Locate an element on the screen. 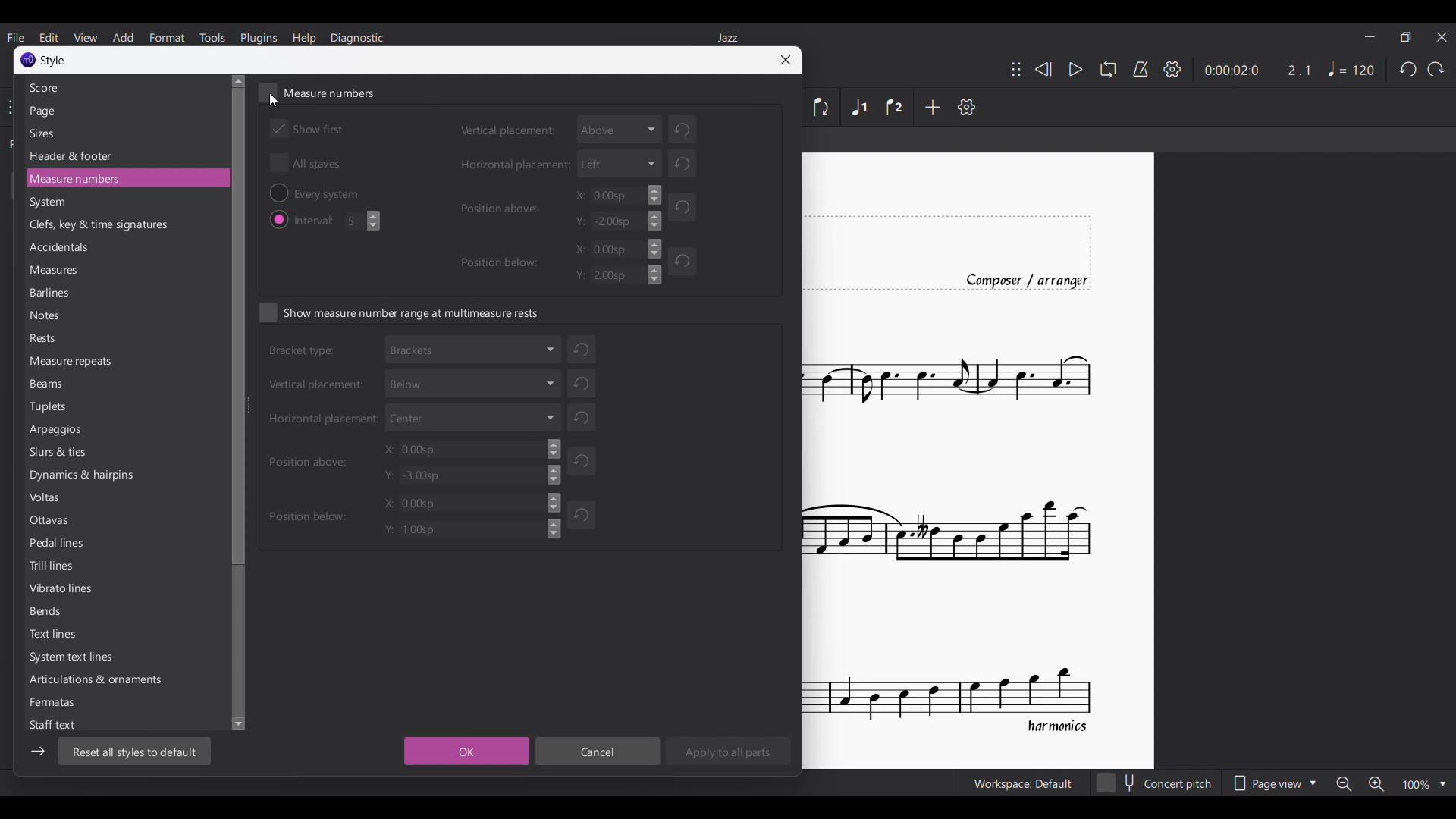  Ferraates is located at coordinates (54, 701).